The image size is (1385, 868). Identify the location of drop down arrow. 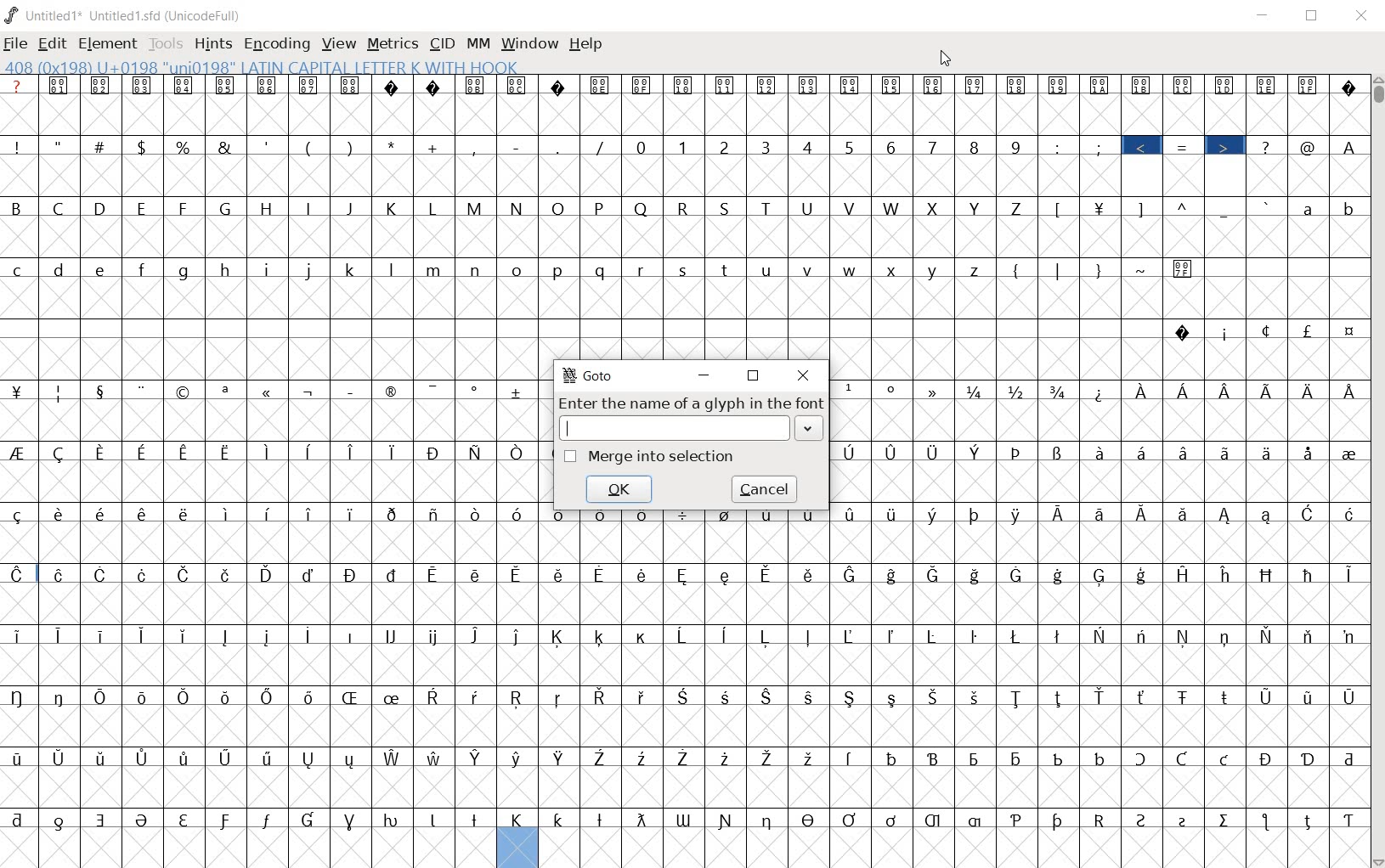
(809, 431).